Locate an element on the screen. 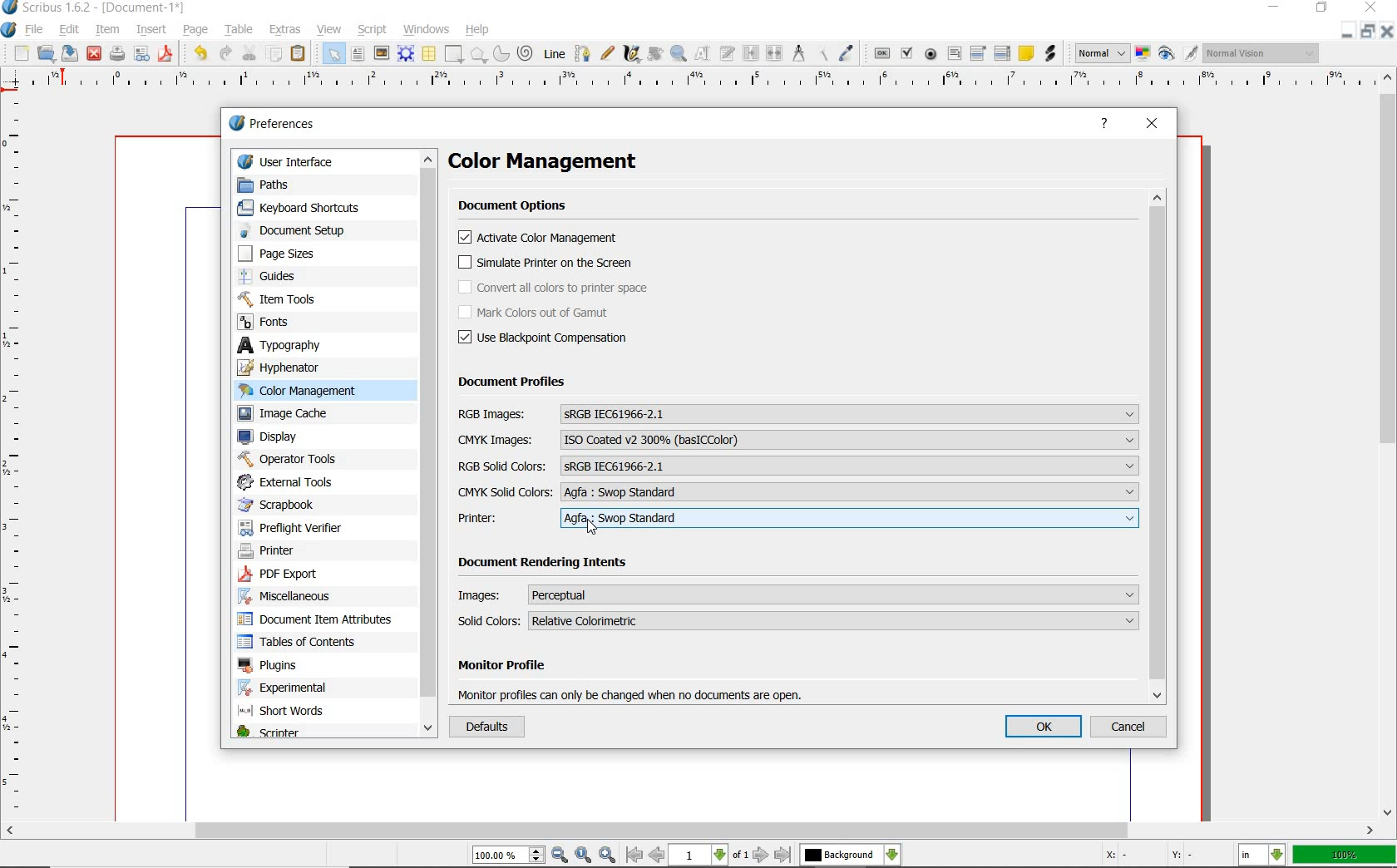 The image size is (1397, 868). rotate item is located at coordinates (655, 54).